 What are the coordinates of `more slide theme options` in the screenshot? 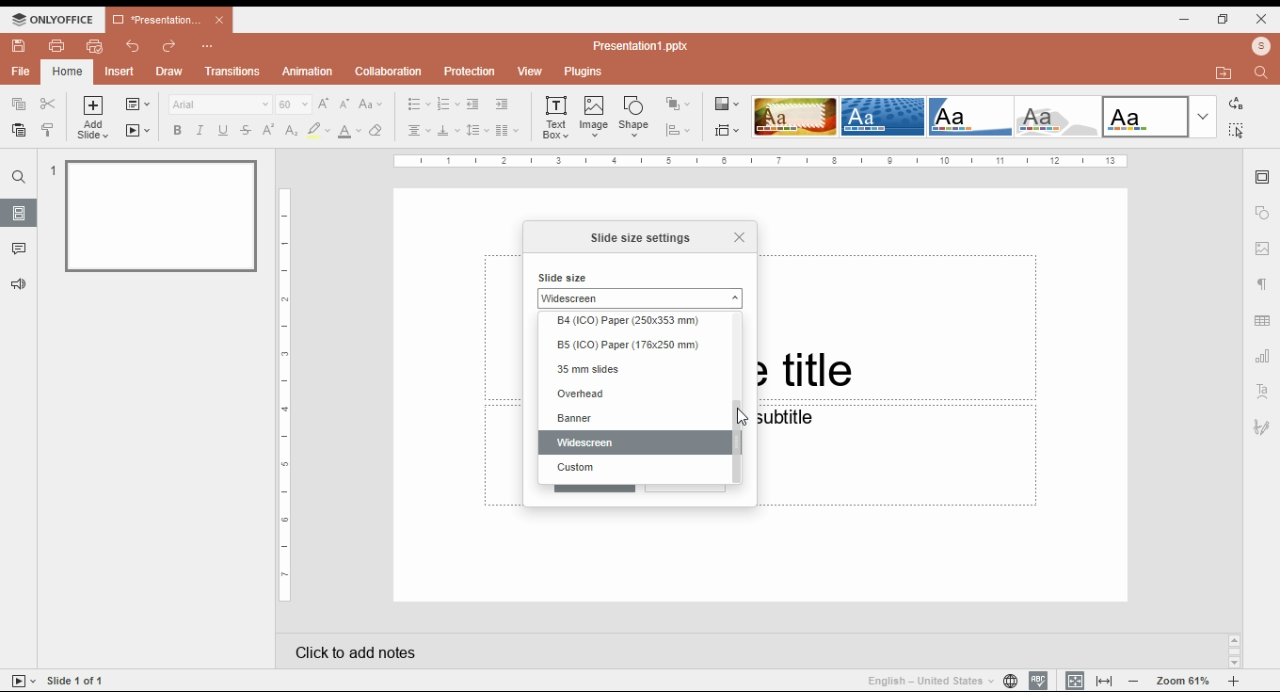 It's located at (1203, 117).